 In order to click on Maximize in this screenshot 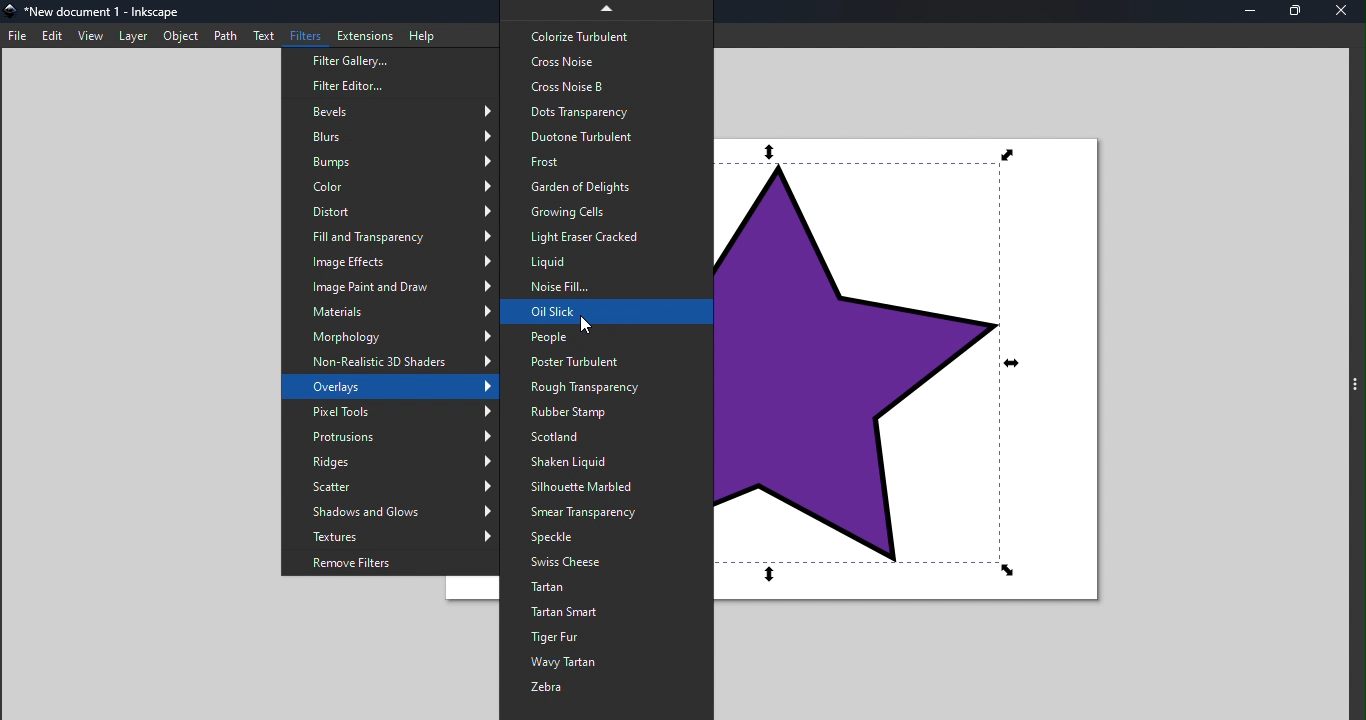, I will do `click(1299, 12)`.